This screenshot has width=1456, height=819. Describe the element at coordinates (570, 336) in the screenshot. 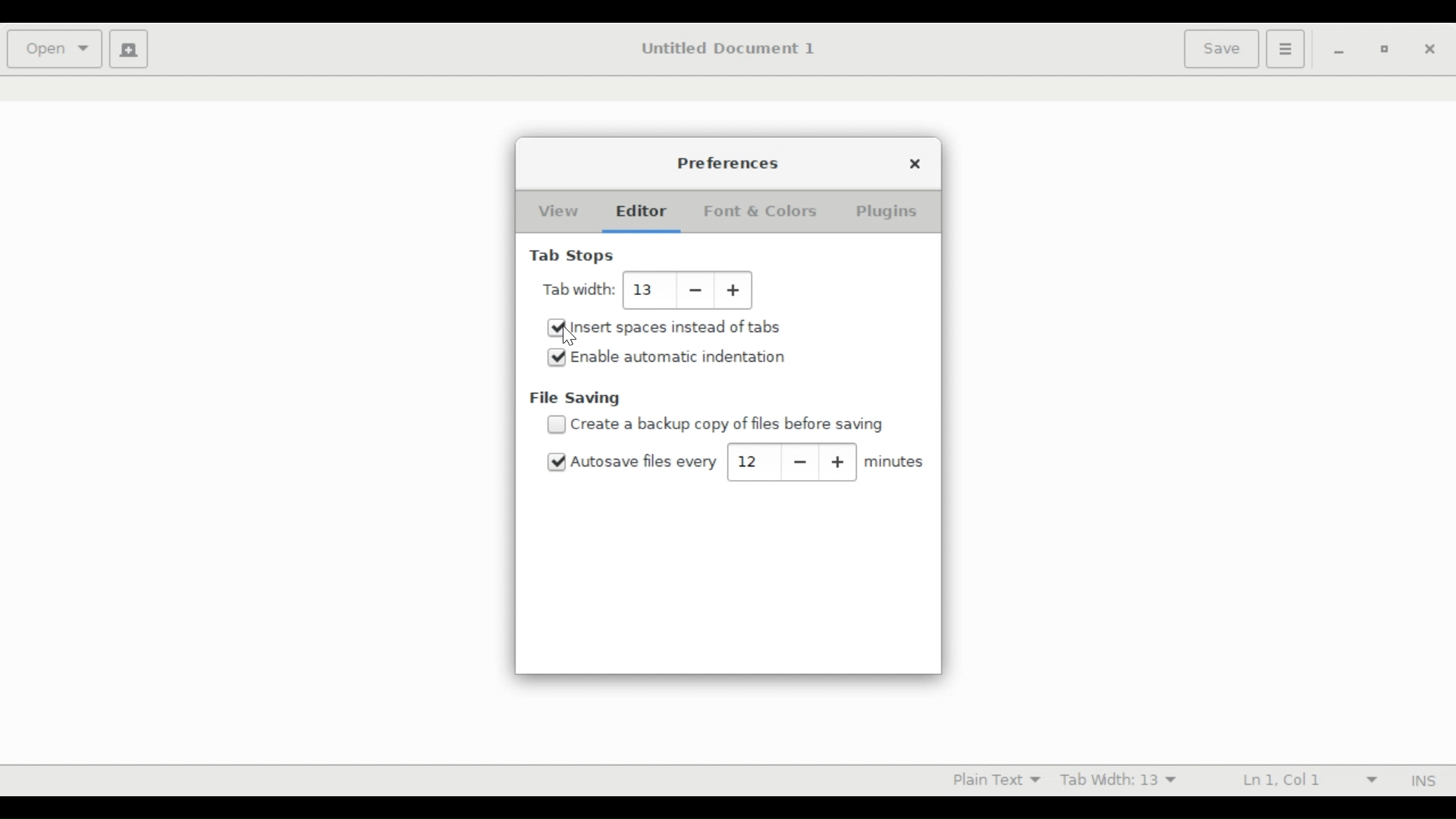

I see `Cursor` at that location.